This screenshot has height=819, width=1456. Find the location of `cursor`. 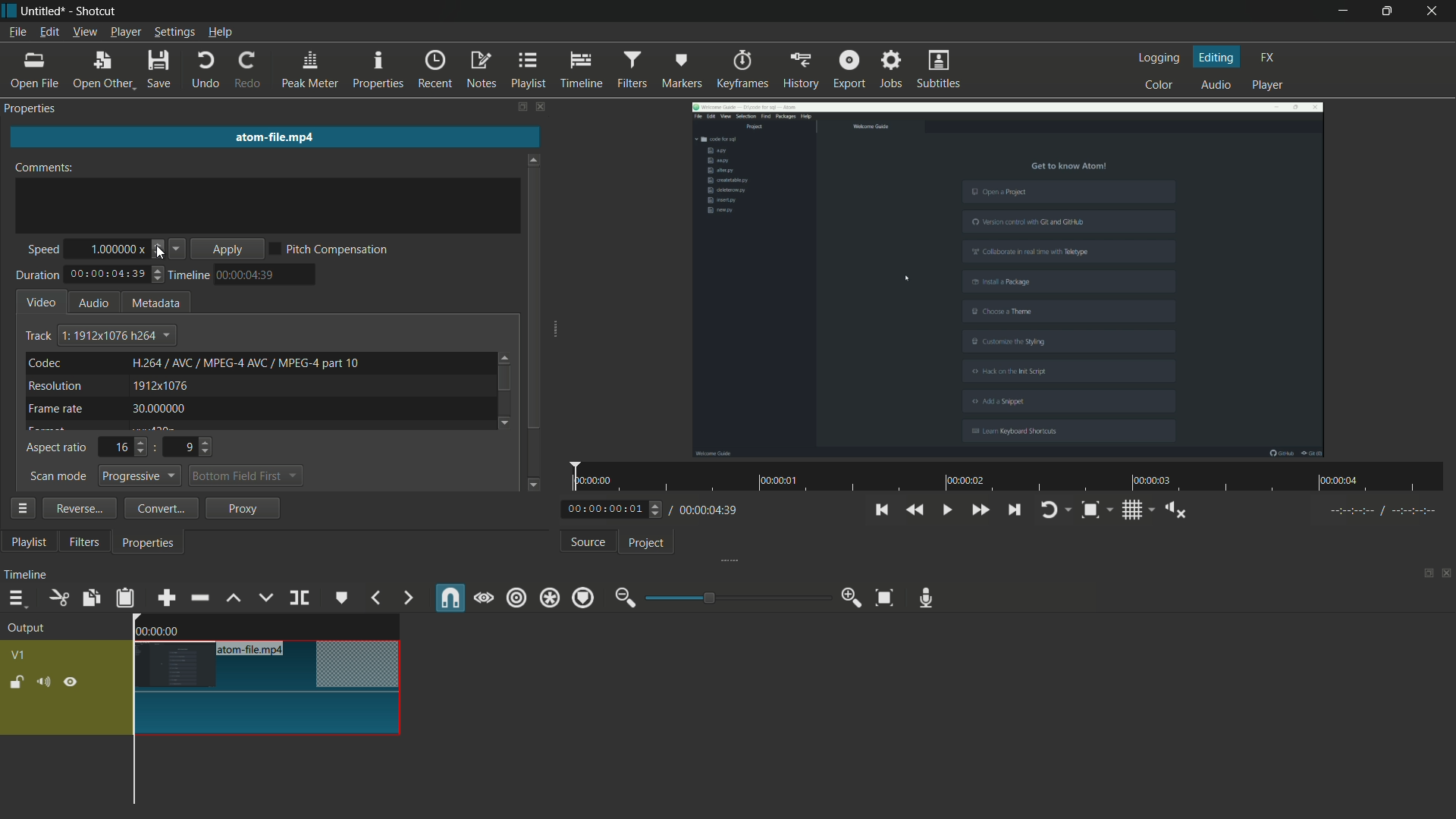

cursor is located at coordinates (173, 259).